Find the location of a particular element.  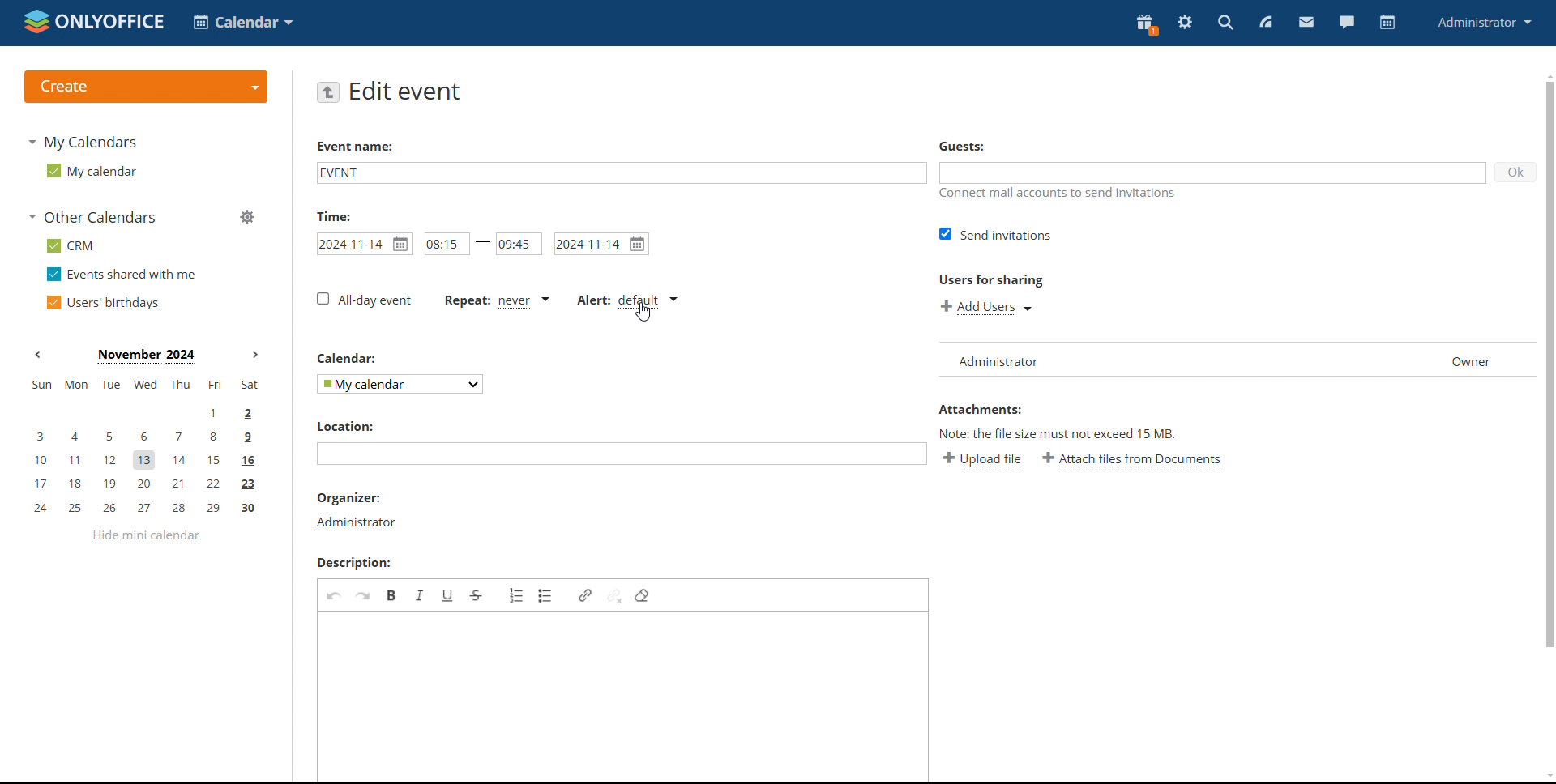

add event name is located at coordinates (622, 173).